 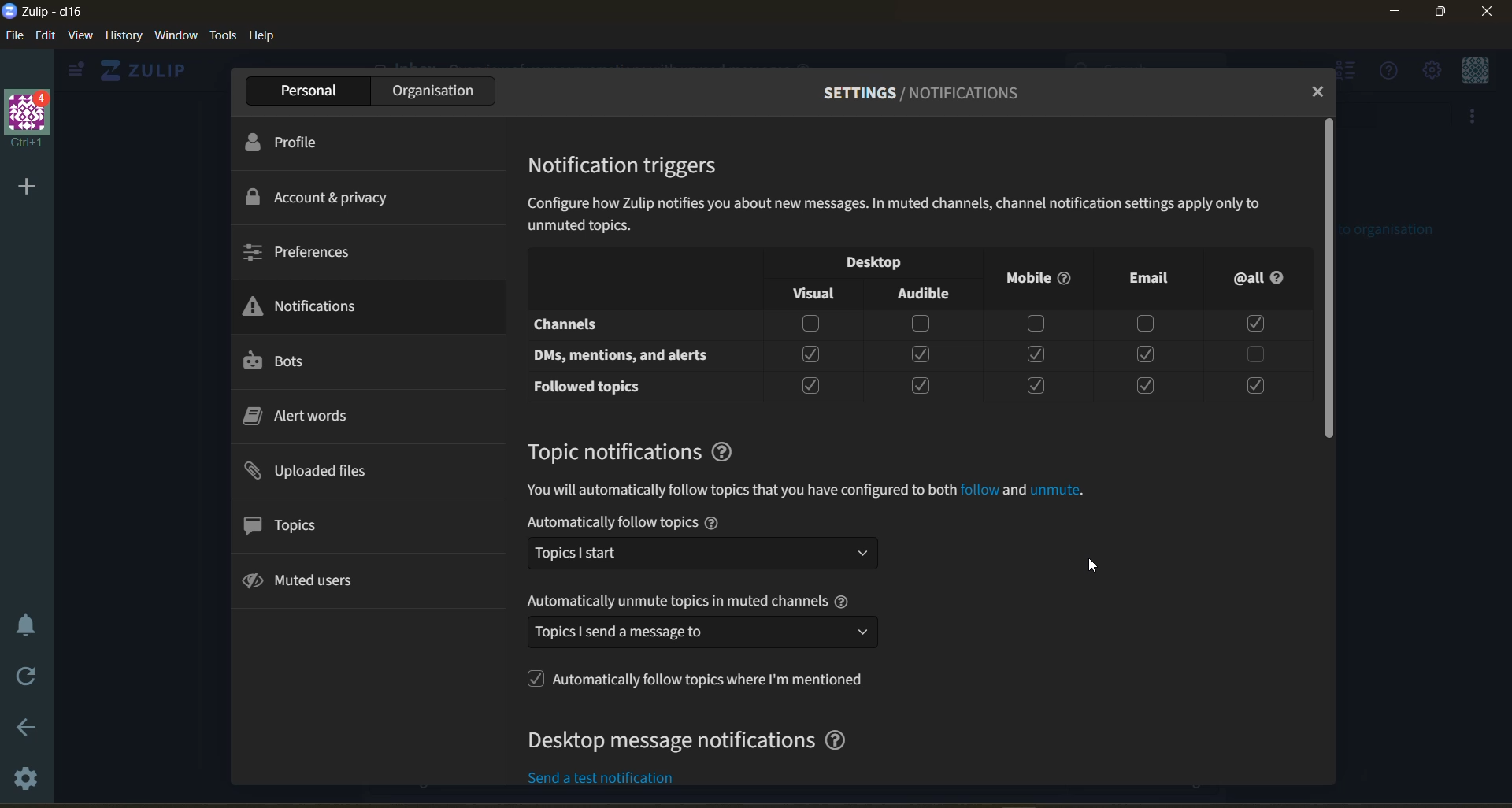 I want to click on profile, so click(x=298, y=142).